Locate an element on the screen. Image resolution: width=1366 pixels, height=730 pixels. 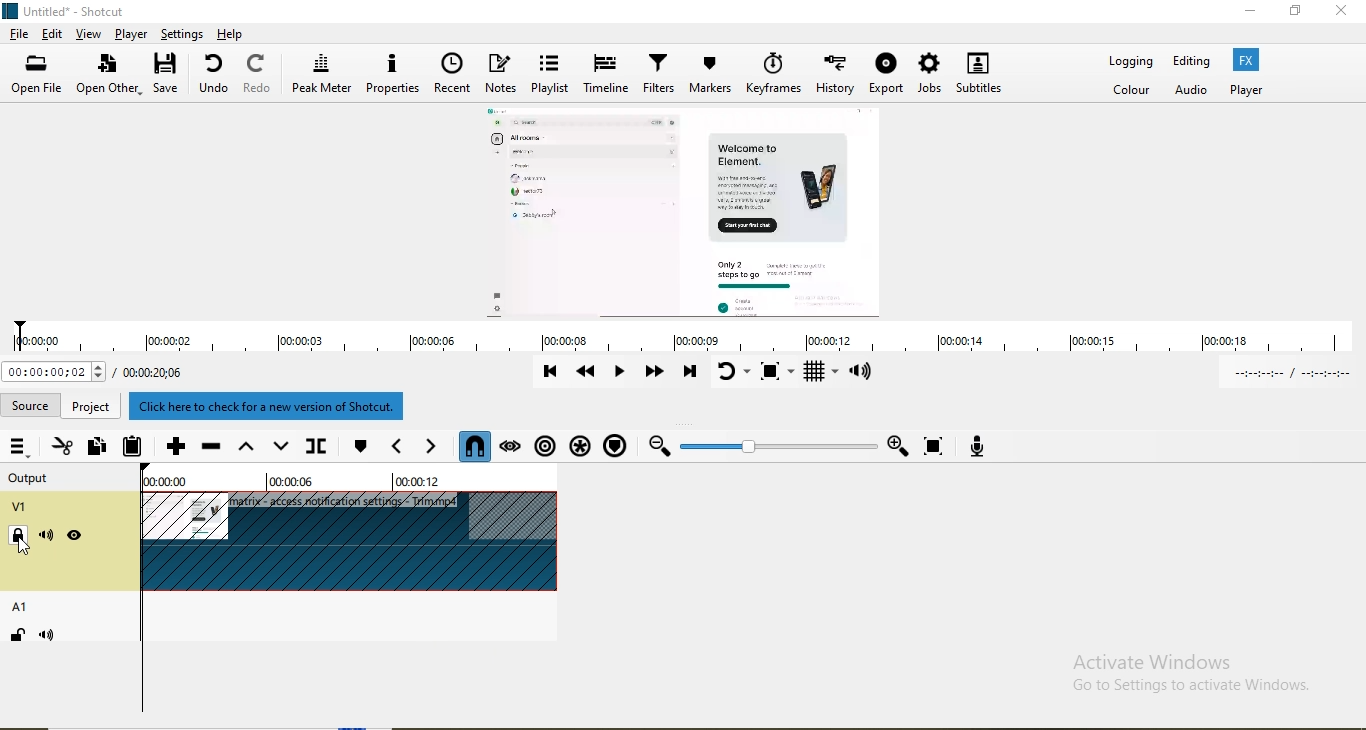
Media view  is located at coordinates (689, 212).